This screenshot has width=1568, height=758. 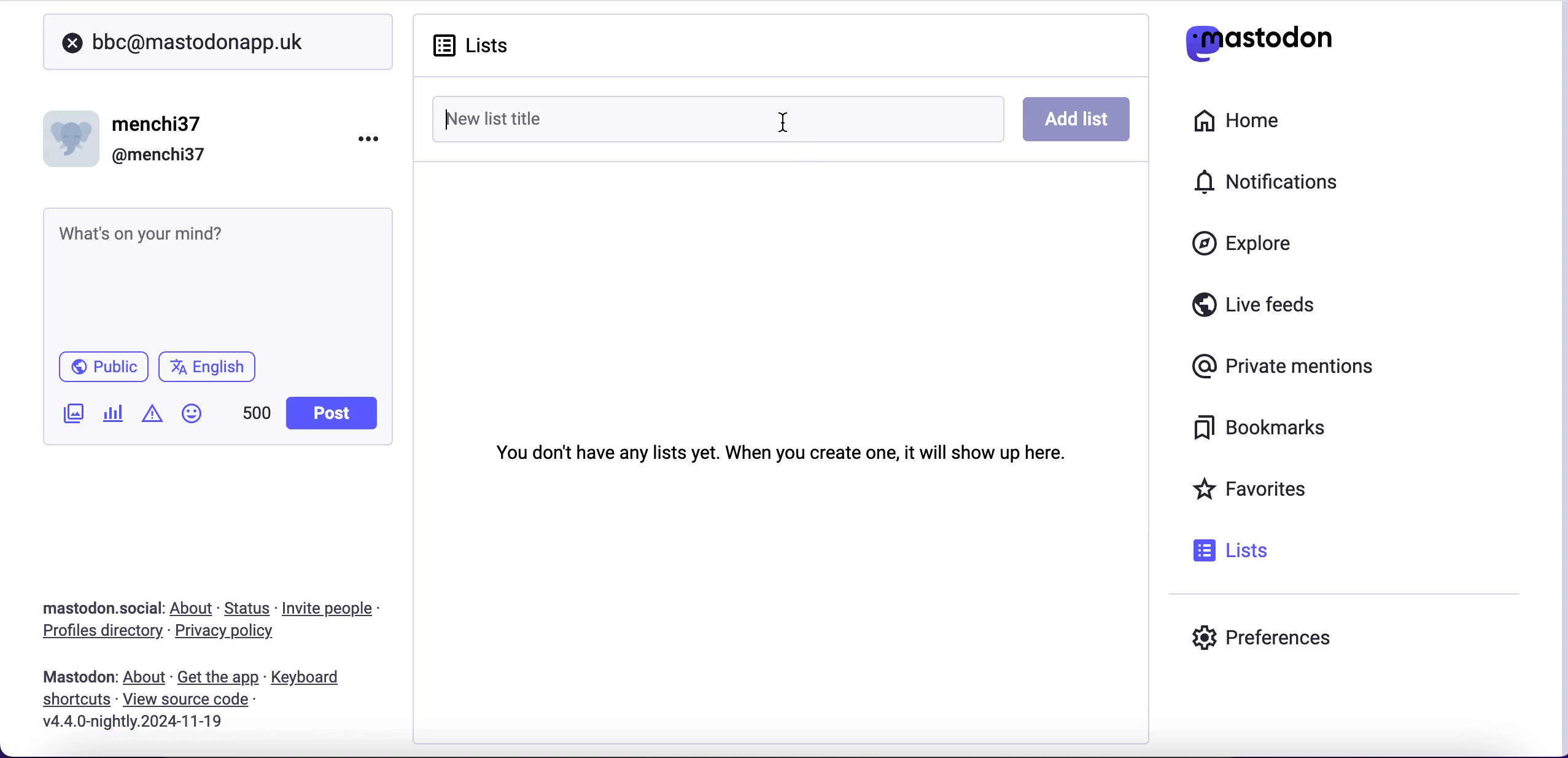 What do you see at coordinates (334, 609) in the screenshot?
I see `invite people` at bounding box center [334, 609].